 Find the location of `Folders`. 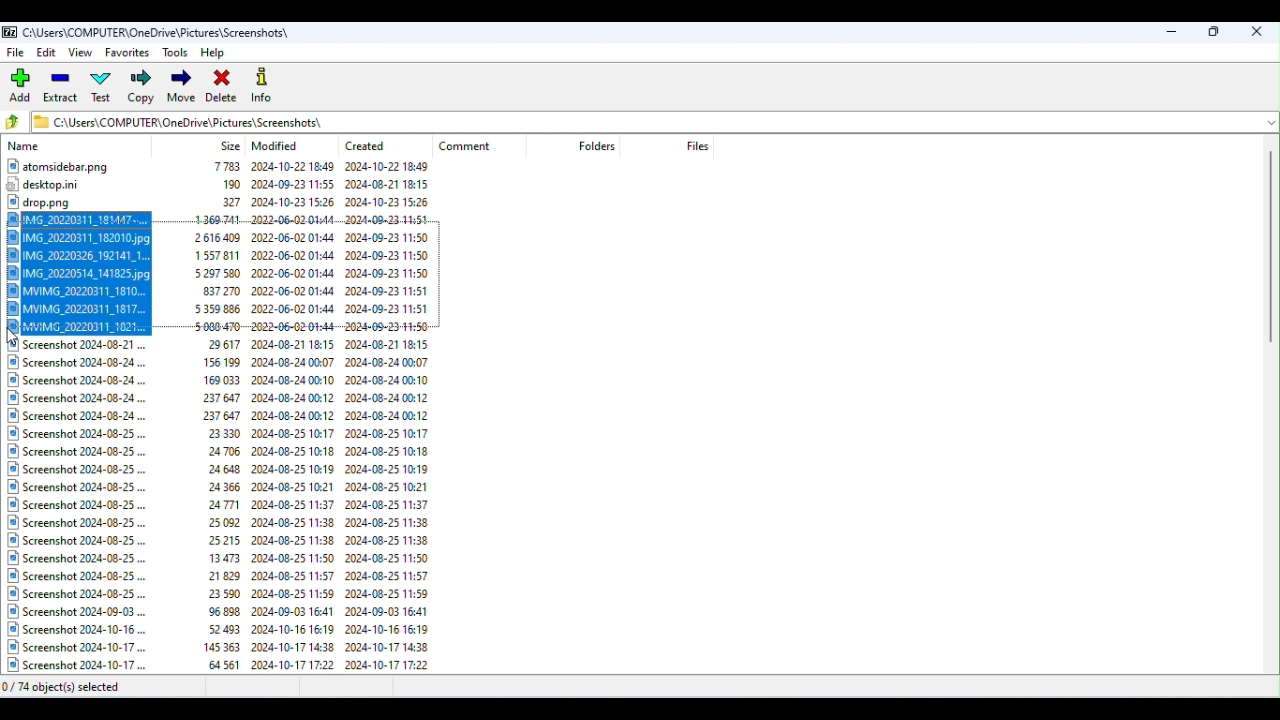

Folders is located at coordinates (599, 146).